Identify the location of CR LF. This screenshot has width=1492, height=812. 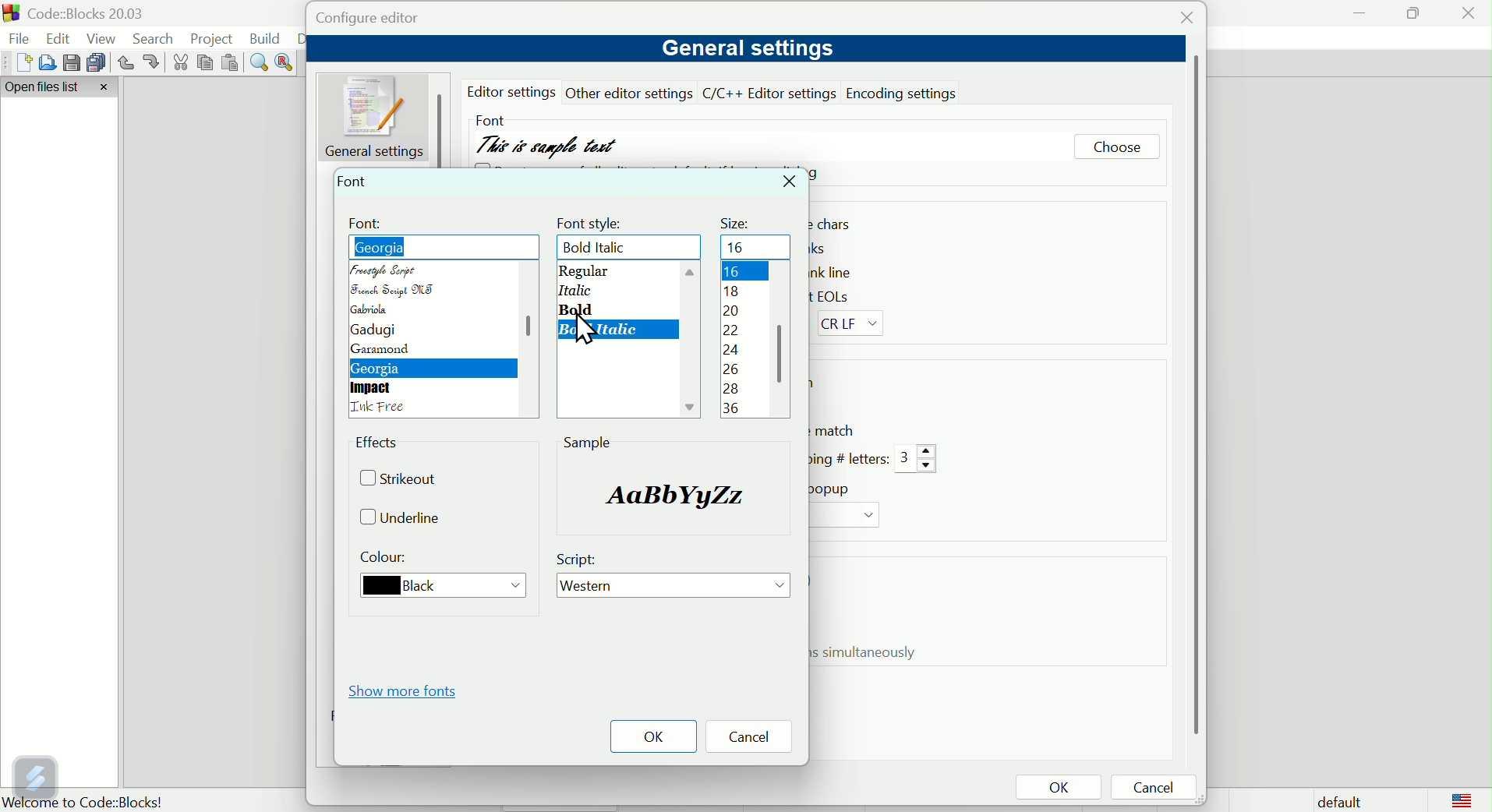
(855, 324).